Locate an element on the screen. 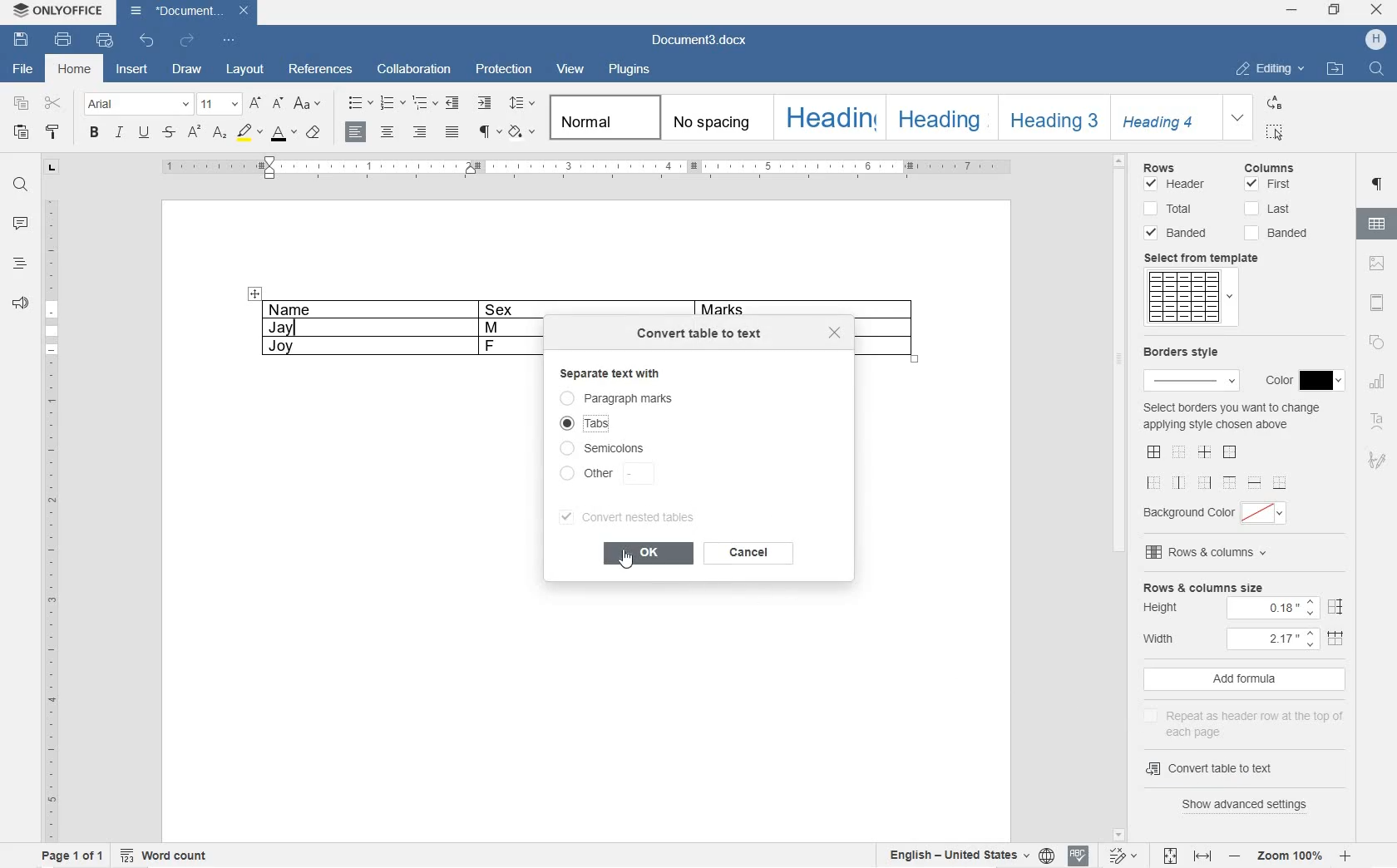 The image size is (1397, 868). INCREMENT FONT SIZE is located at coordinates (256, 104).